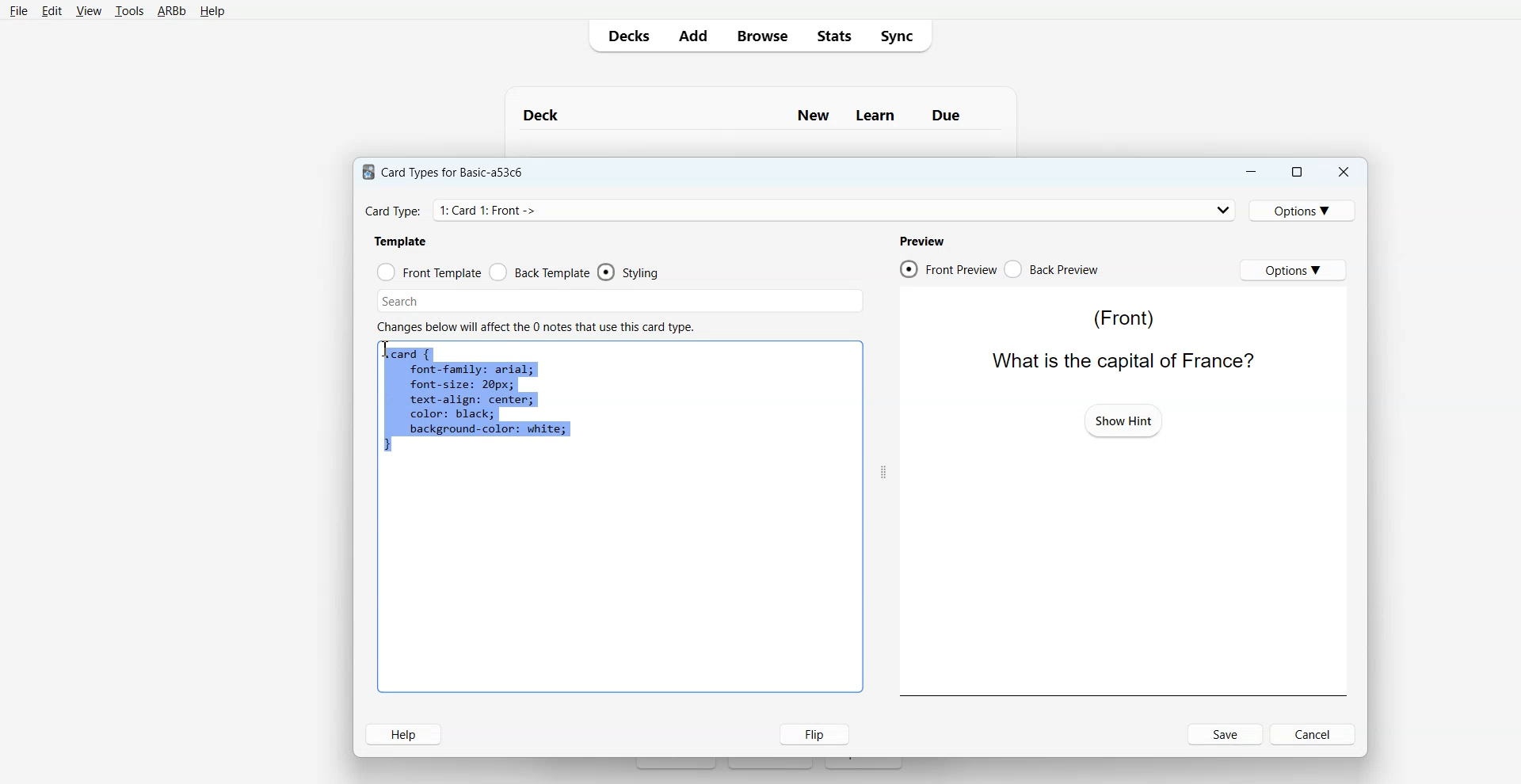  What do you see at coordinates (902, 35) in the screenshot?
I see `Sync` at bounding box center [902, 35].